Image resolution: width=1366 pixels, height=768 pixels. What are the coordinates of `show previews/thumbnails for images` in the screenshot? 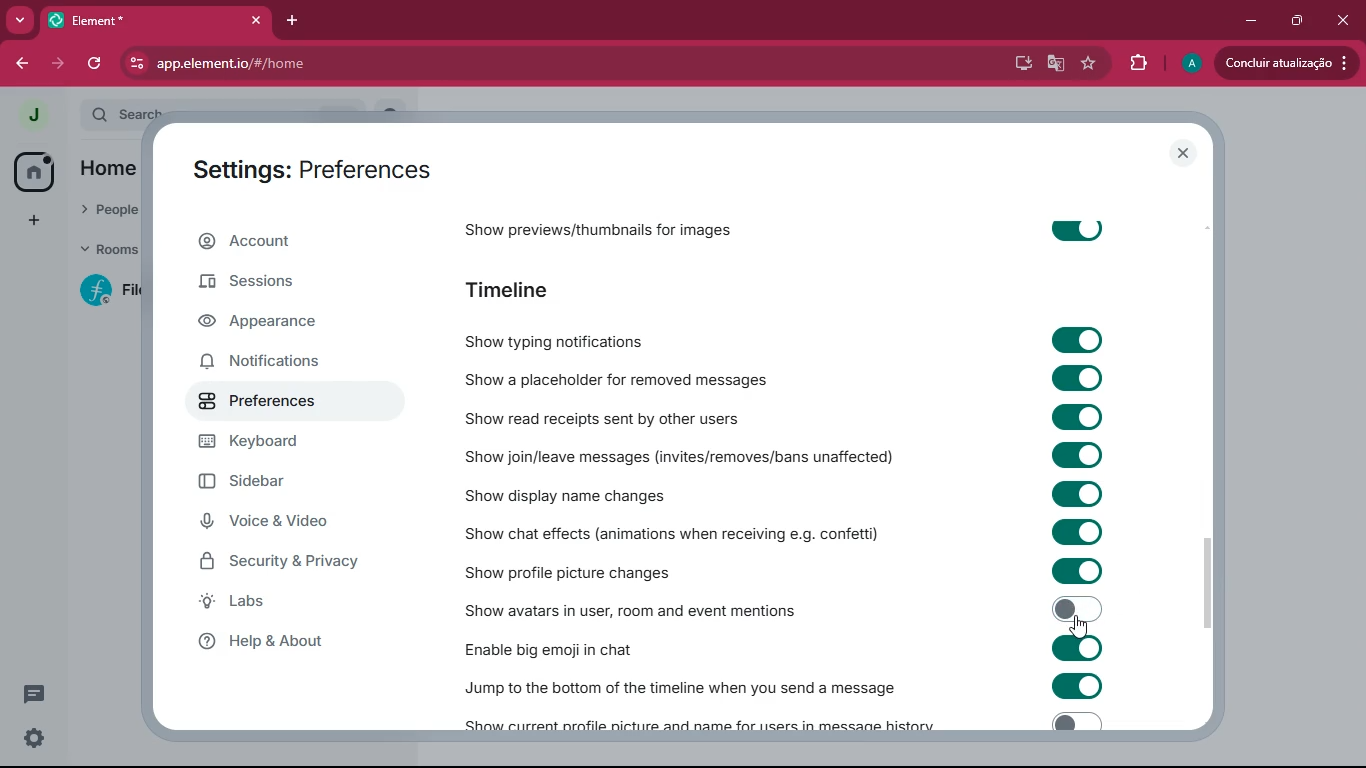 It's located at (604, 225).